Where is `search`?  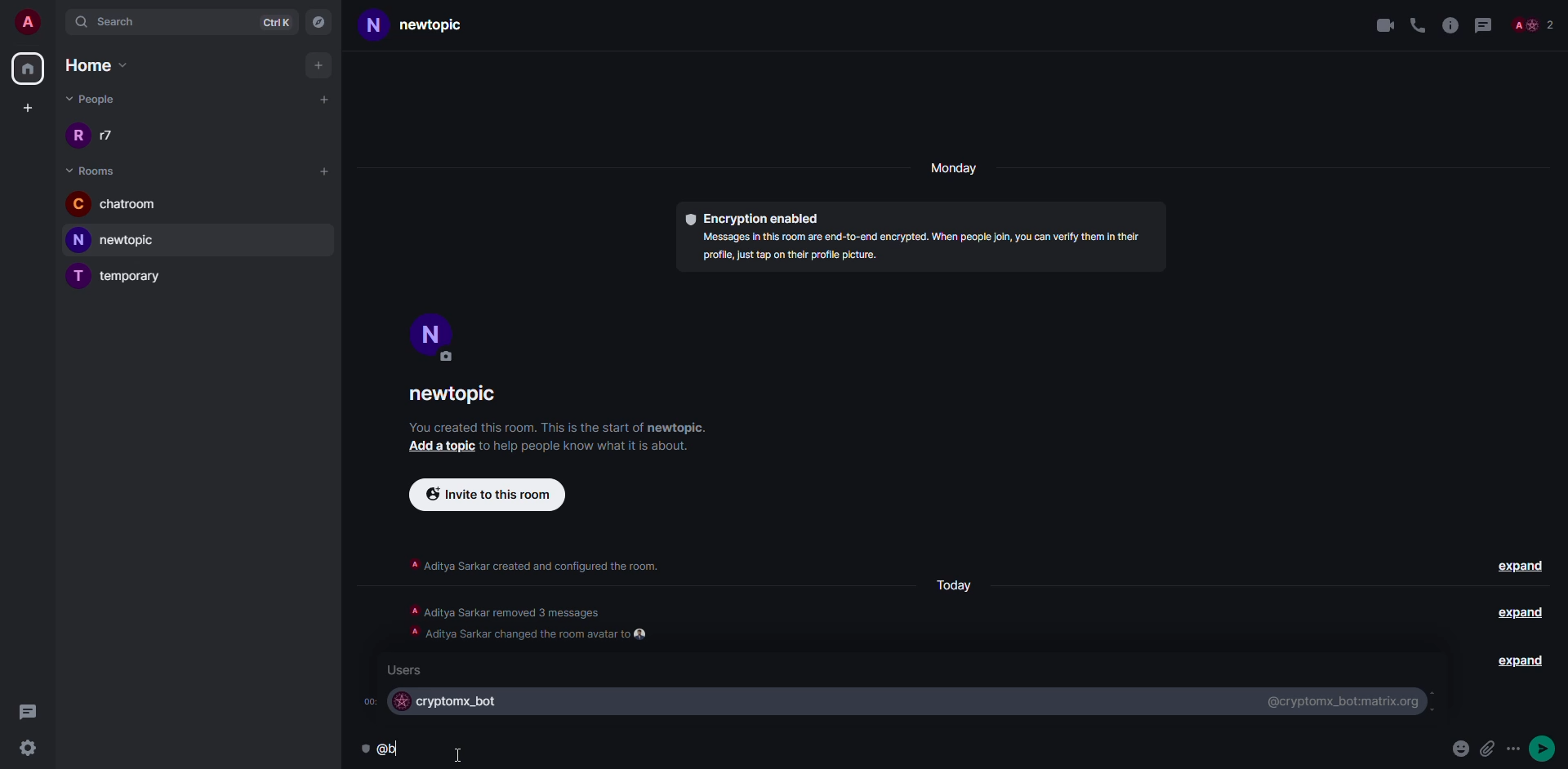 search is located at coordinates (118, 21).